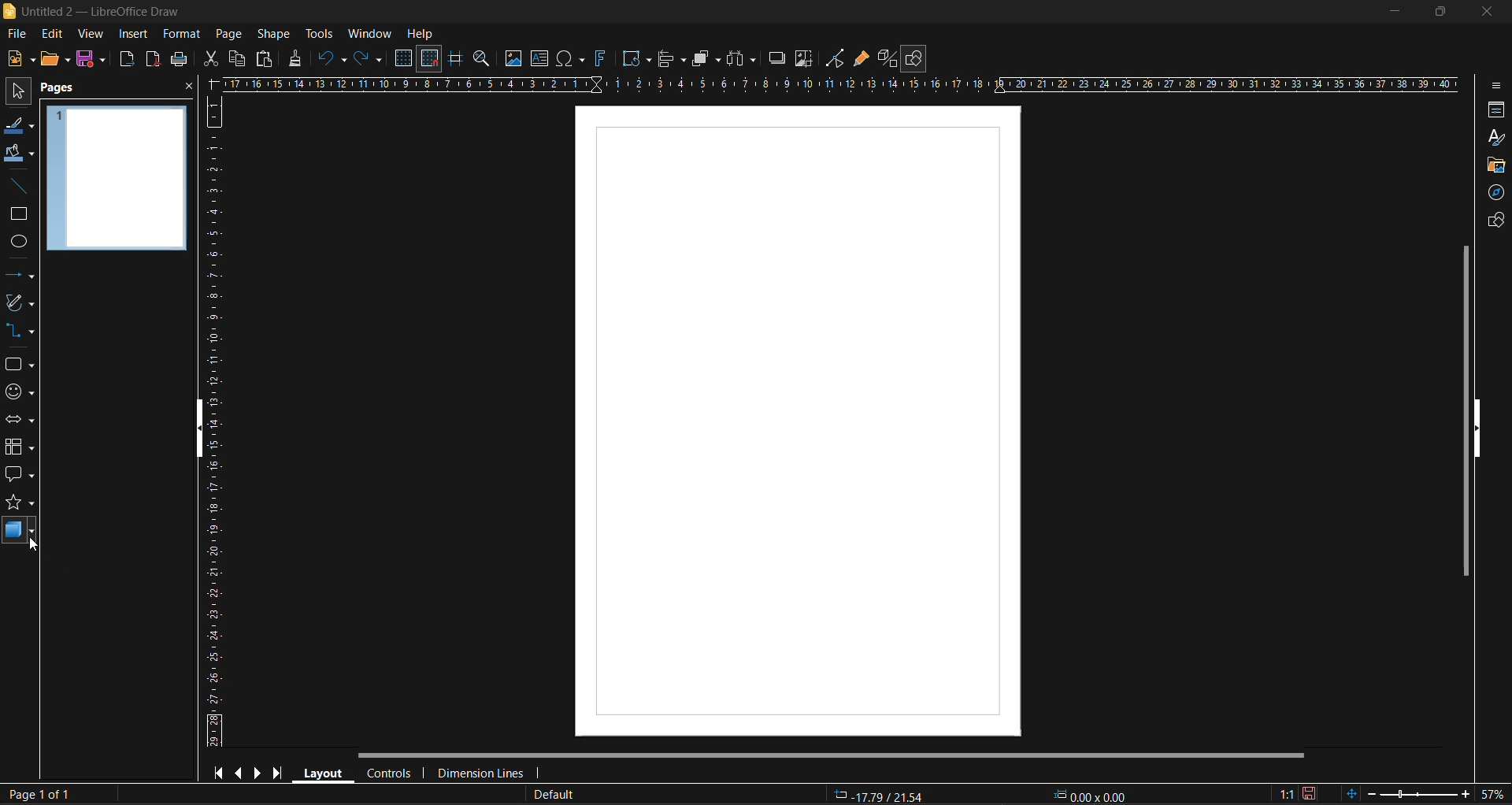 This screenshot has height=805, width=1512. What do you see at coordinates (120, 180) in the screenshot?
I see `page preview` at bounding box center [120, 180].